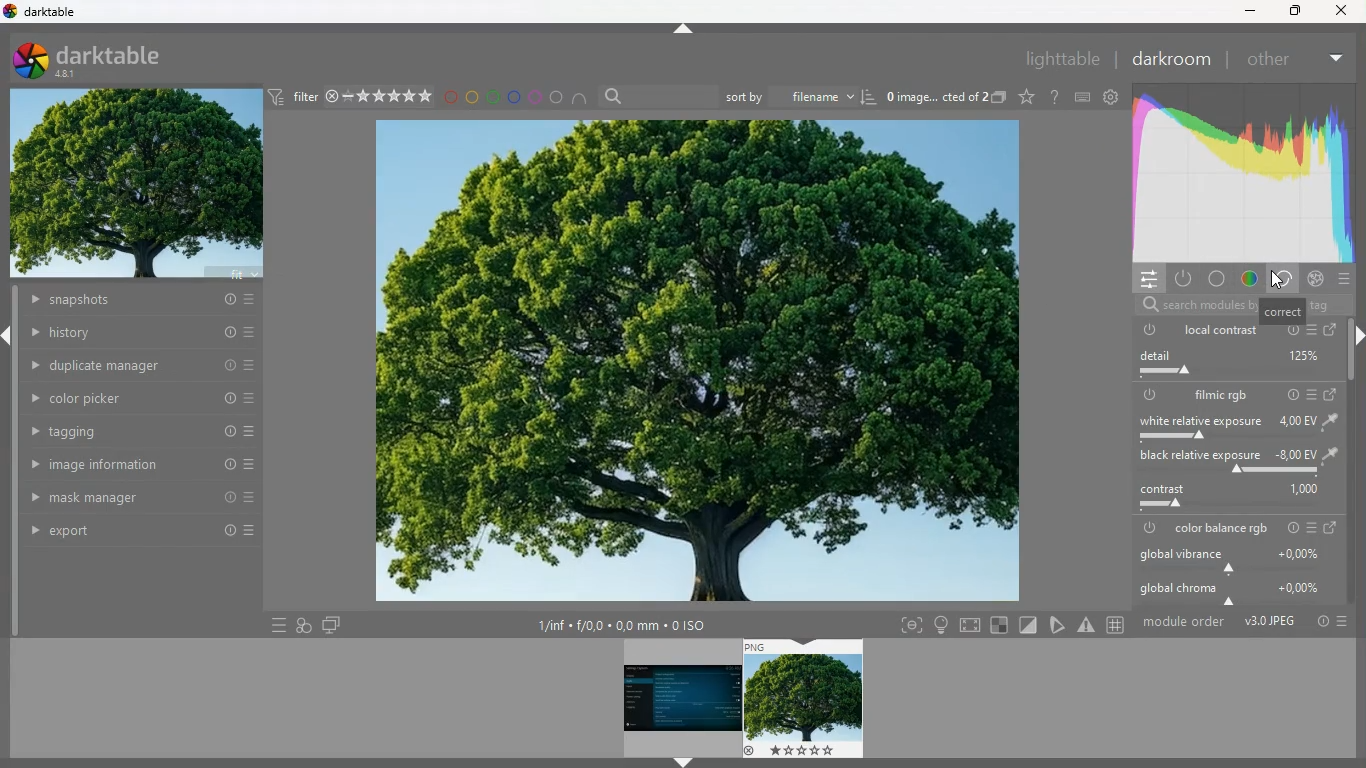 The width and height of the screenshot is (1366, 768). Describe the element at coordinates (138, 186) in the screenshot. I see `image` at that location.